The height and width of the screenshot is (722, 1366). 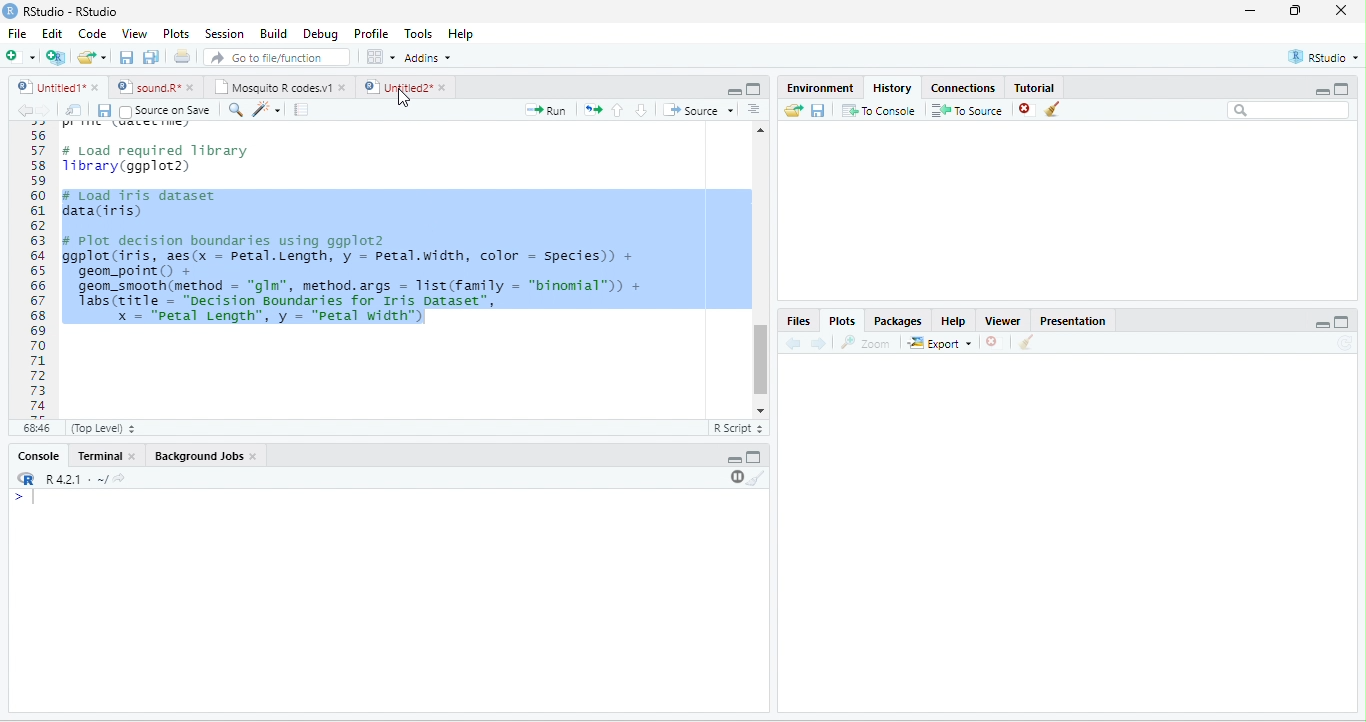 What do you see at coordinates (103, 429) in the screenshot?
I see `Top Level` at bounding box center [103, 429].